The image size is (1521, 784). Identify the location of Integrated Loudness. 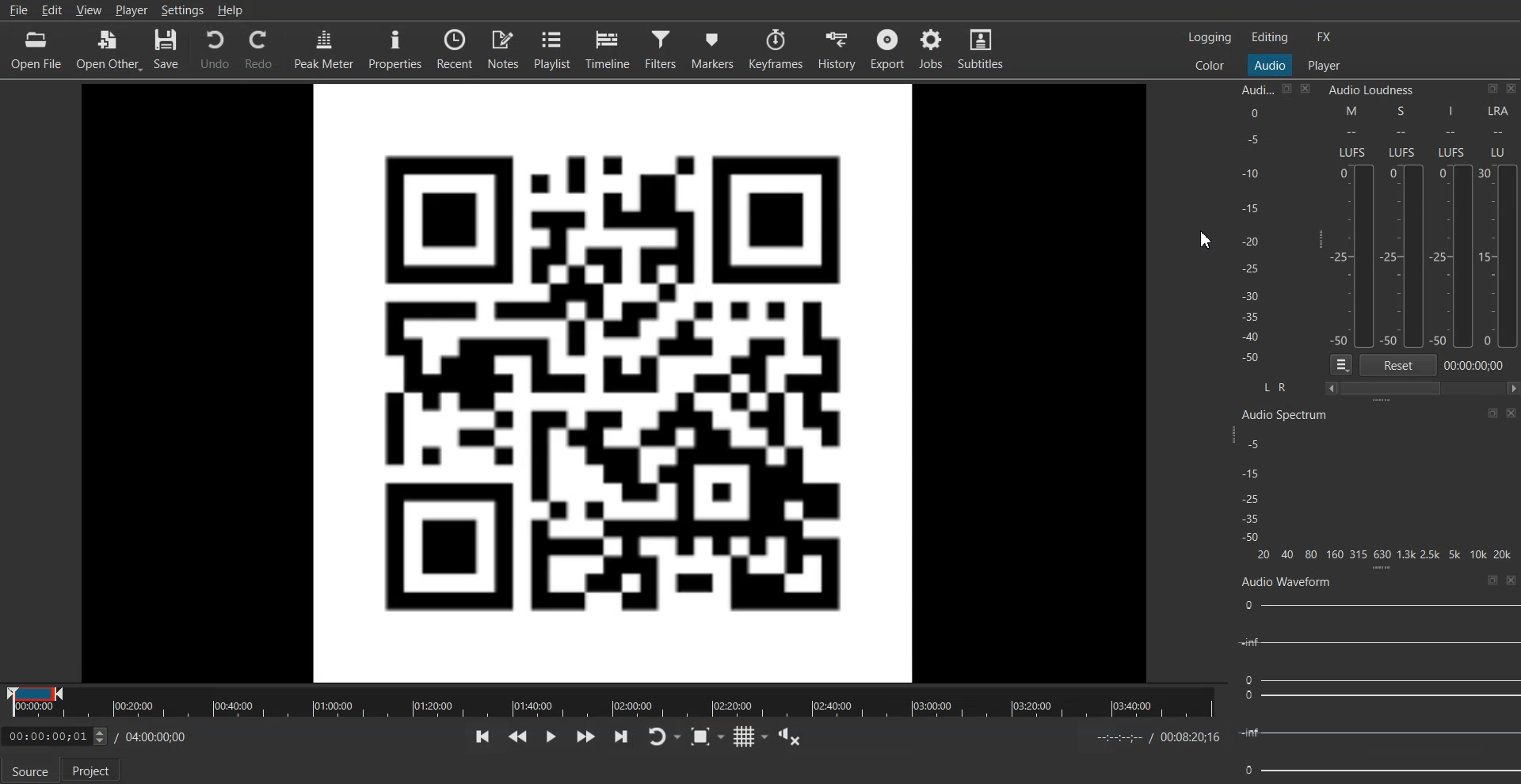
(1453, 226).